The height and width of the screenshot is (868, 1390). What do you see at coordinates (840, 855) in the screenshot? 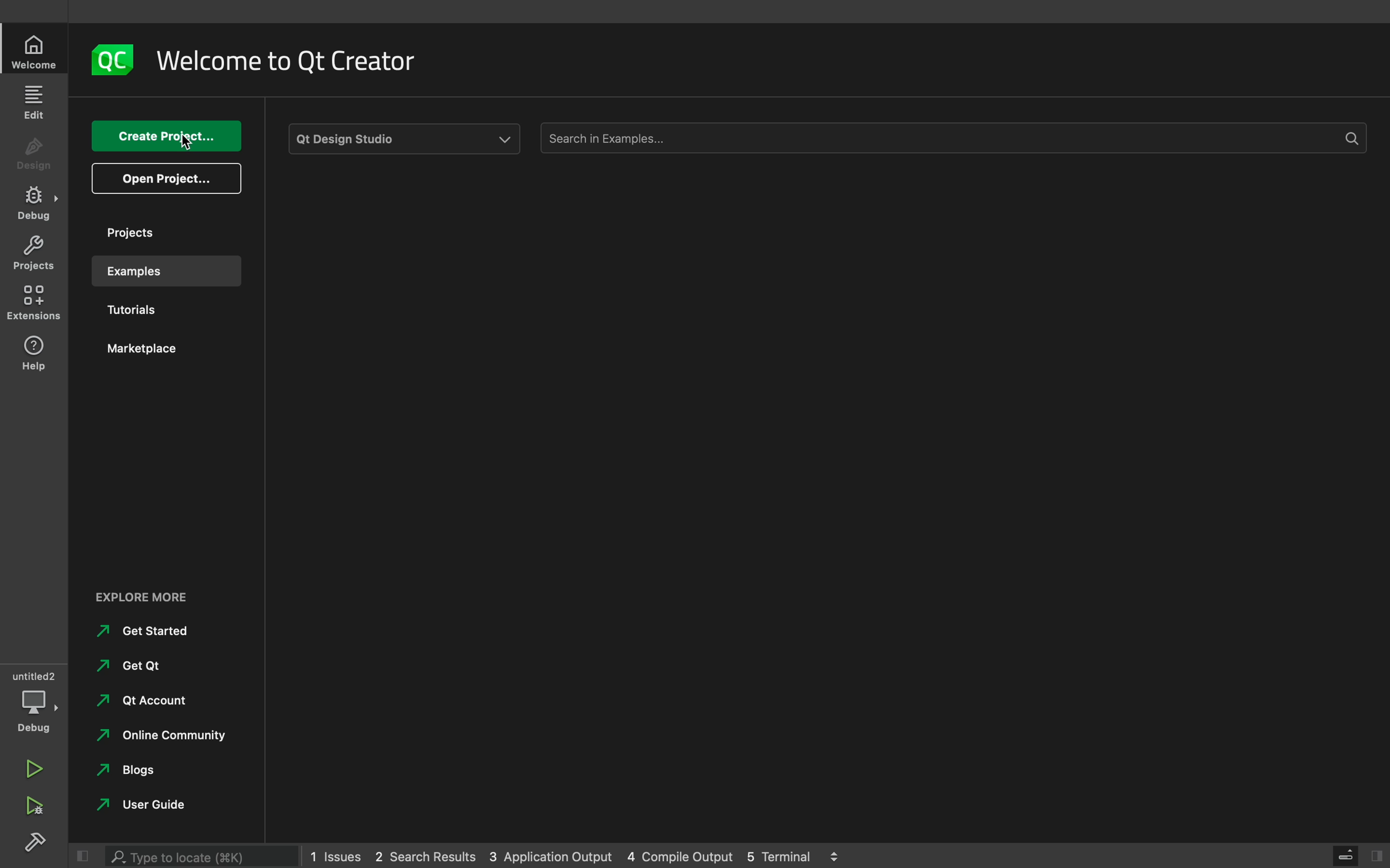
I see `increase/decrease arrows` at bounding box center [840, 855].